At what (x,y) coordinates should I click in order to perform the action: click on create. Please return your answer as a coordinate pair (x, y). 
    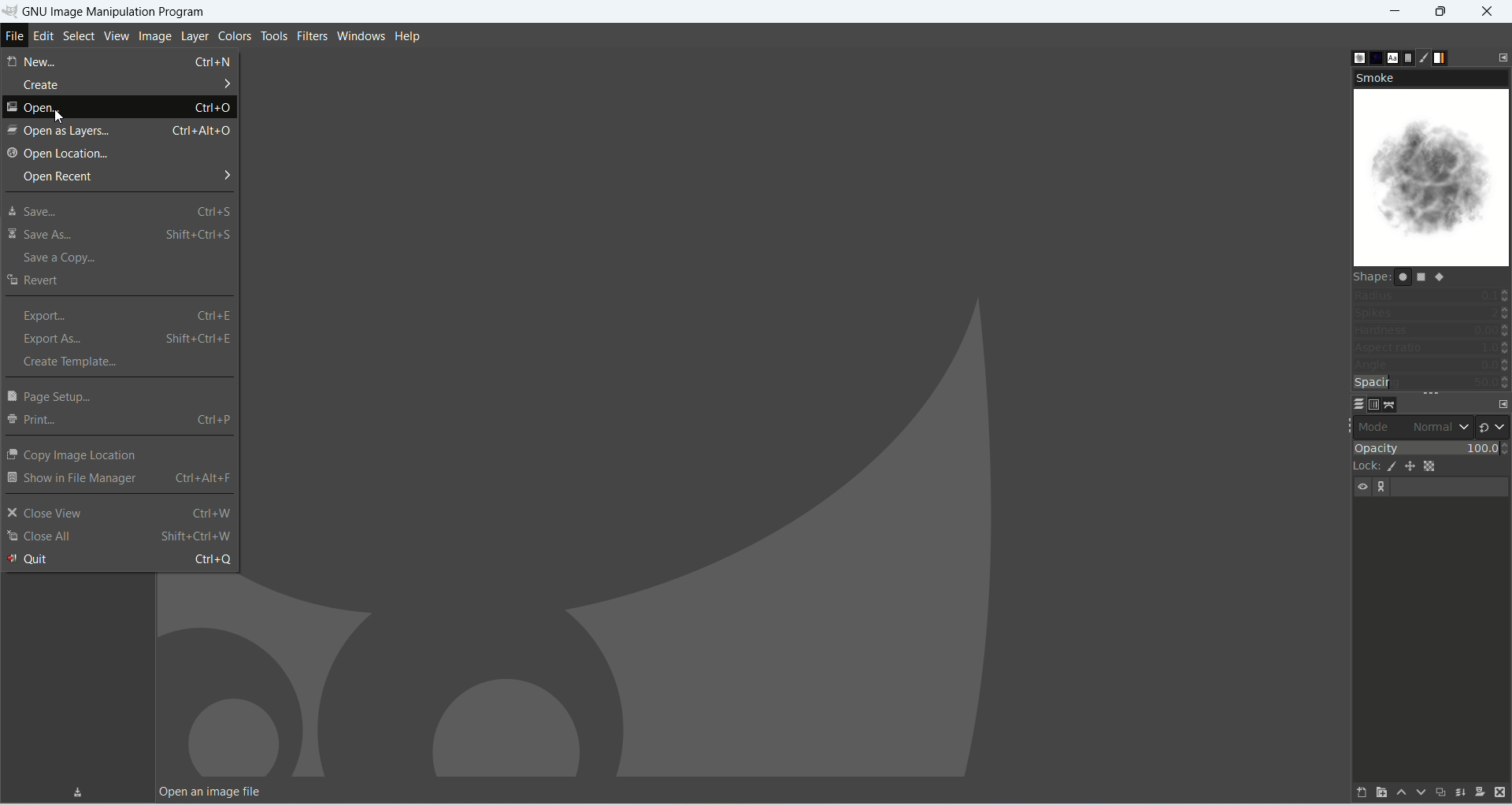
    Looking at the image, I should click on (126, 84).